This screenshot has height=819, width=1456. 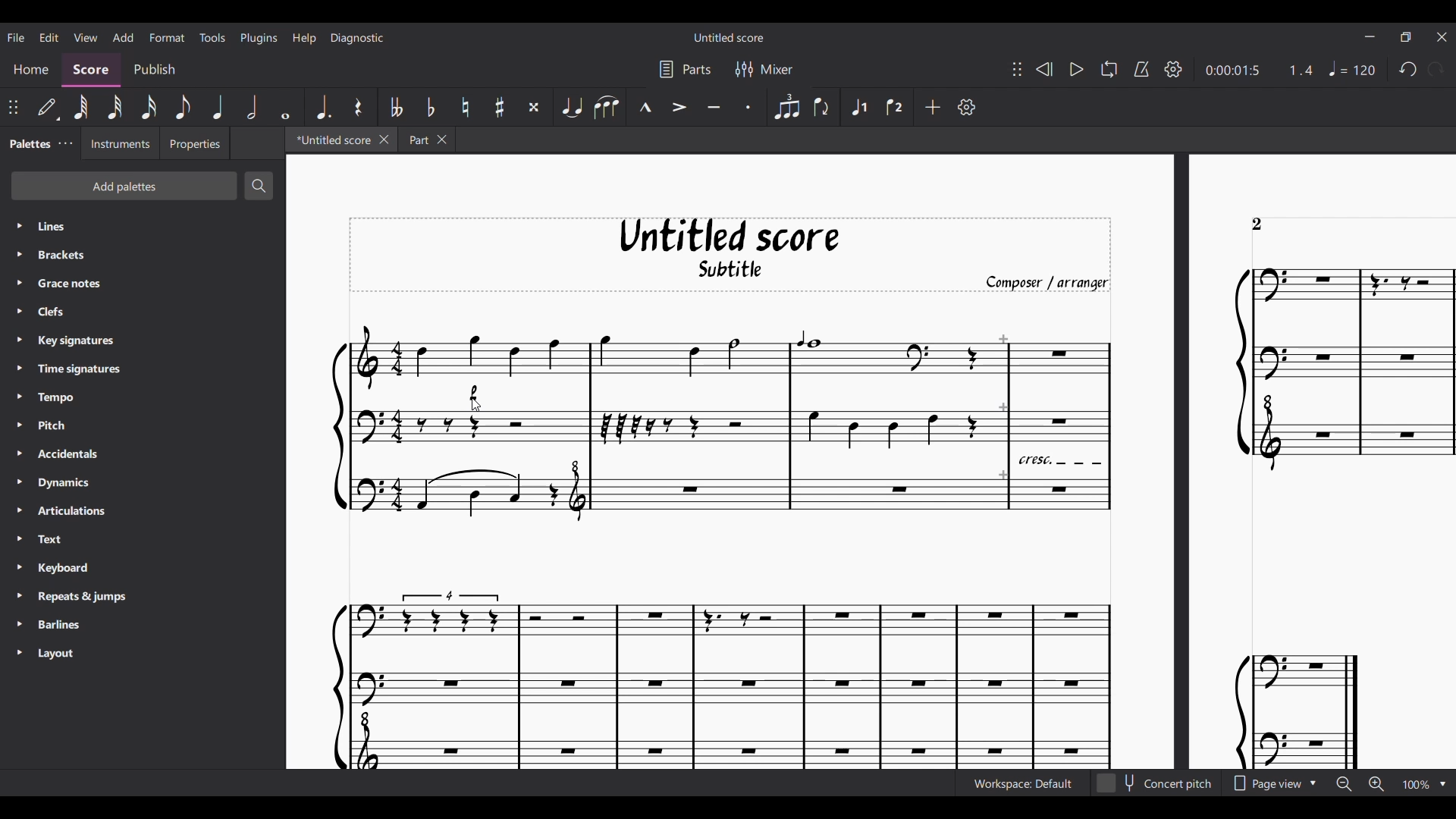 What do you see at coordinates (1017, 69) in the screenshot?
I see `Change position of toolbar` at bounding box center [1017, 69].